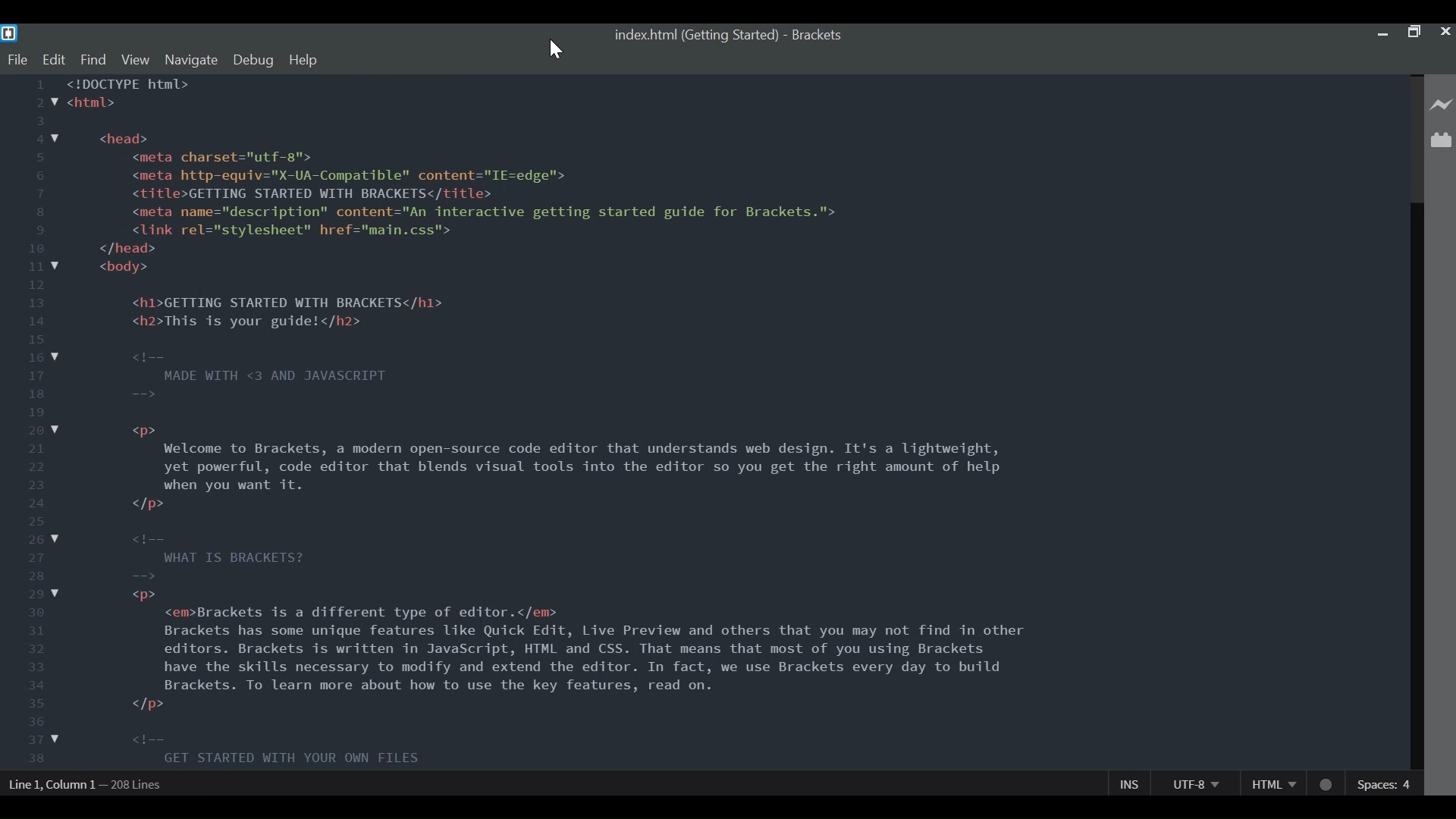 The image size is (1456, 819). What do you see at coordinates (731, 36) in the screenshot?
I see `index.html (Getting Started) - Brackets` at bounding box center [731, 36].